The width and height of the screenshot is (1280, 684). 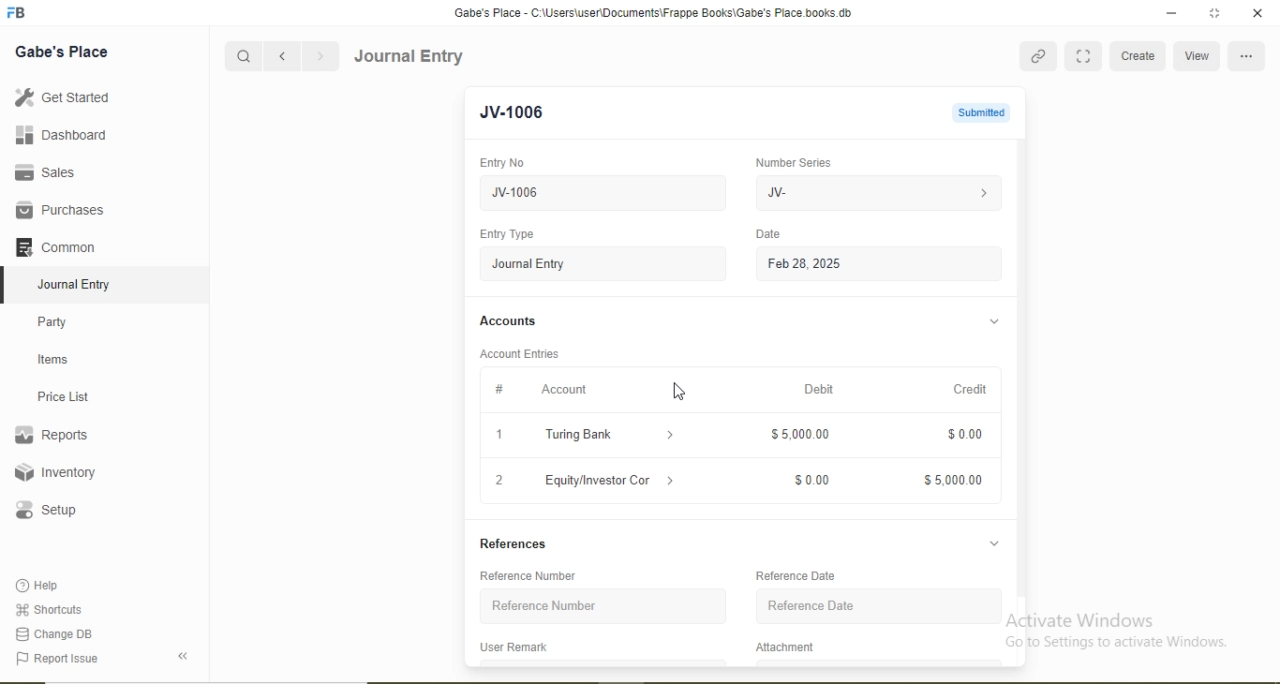 What do you see at coordinates (712, 264) in the screenshot?
I see `Stepper Buttons` at bounding box center [712, 264].